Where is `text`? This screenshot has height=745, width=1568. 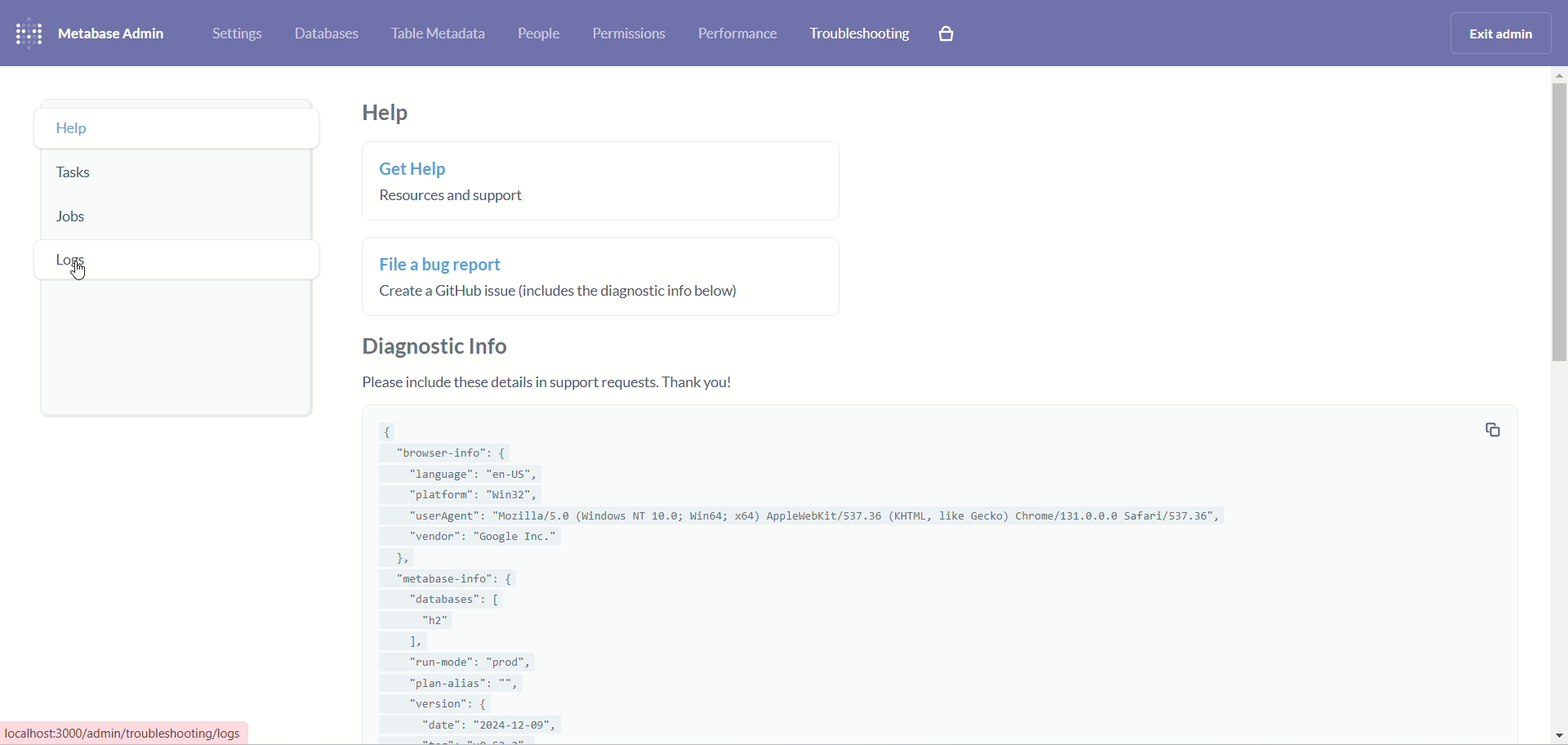 text is located at coordinates (557, 383).